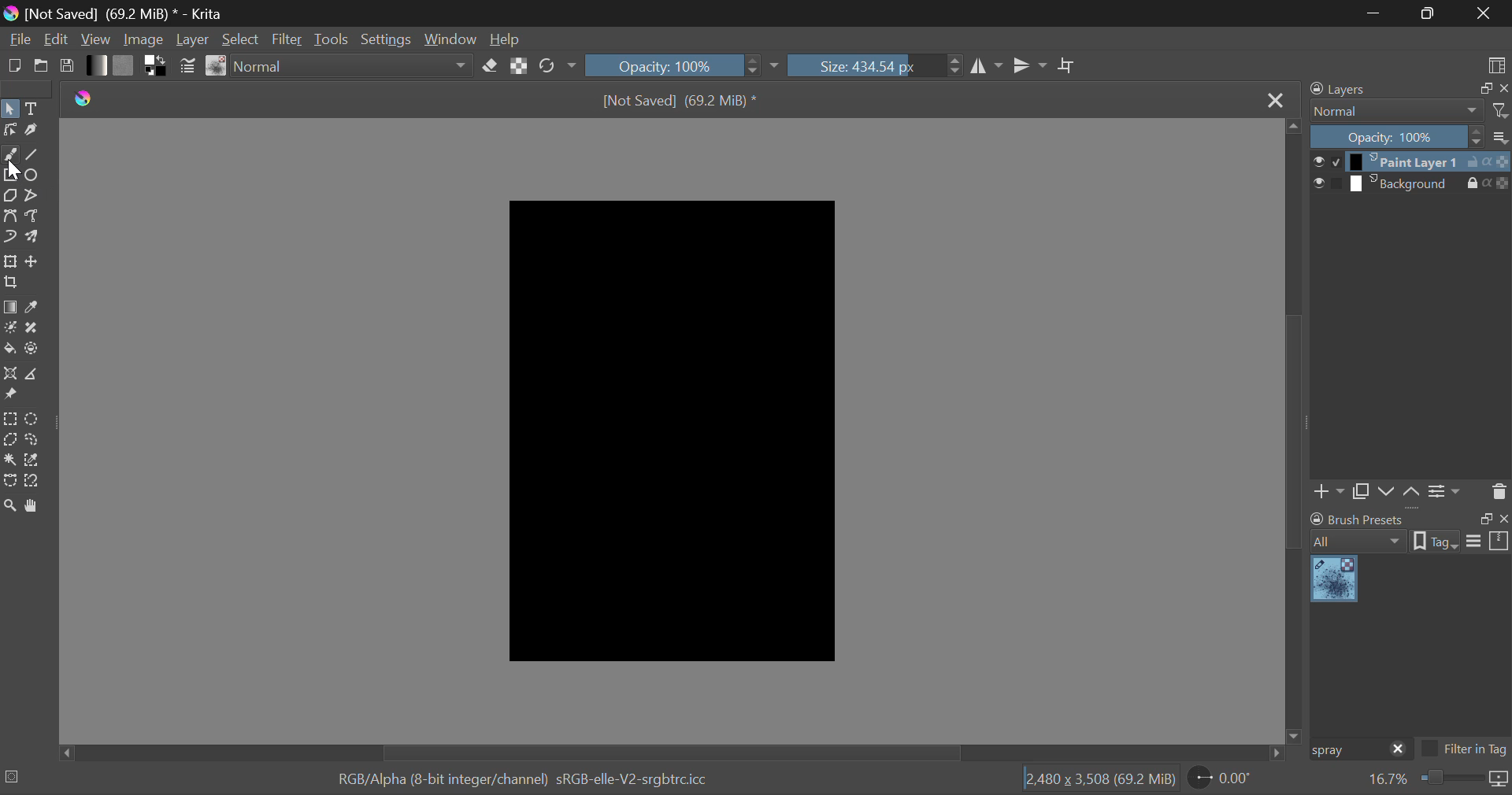 The width and height of the screenshot is (1512, 795). What do you see at coordinates (32, 331) in the screenshot?
I see `Smart Patch Tool` at bounding box center [32, 331].